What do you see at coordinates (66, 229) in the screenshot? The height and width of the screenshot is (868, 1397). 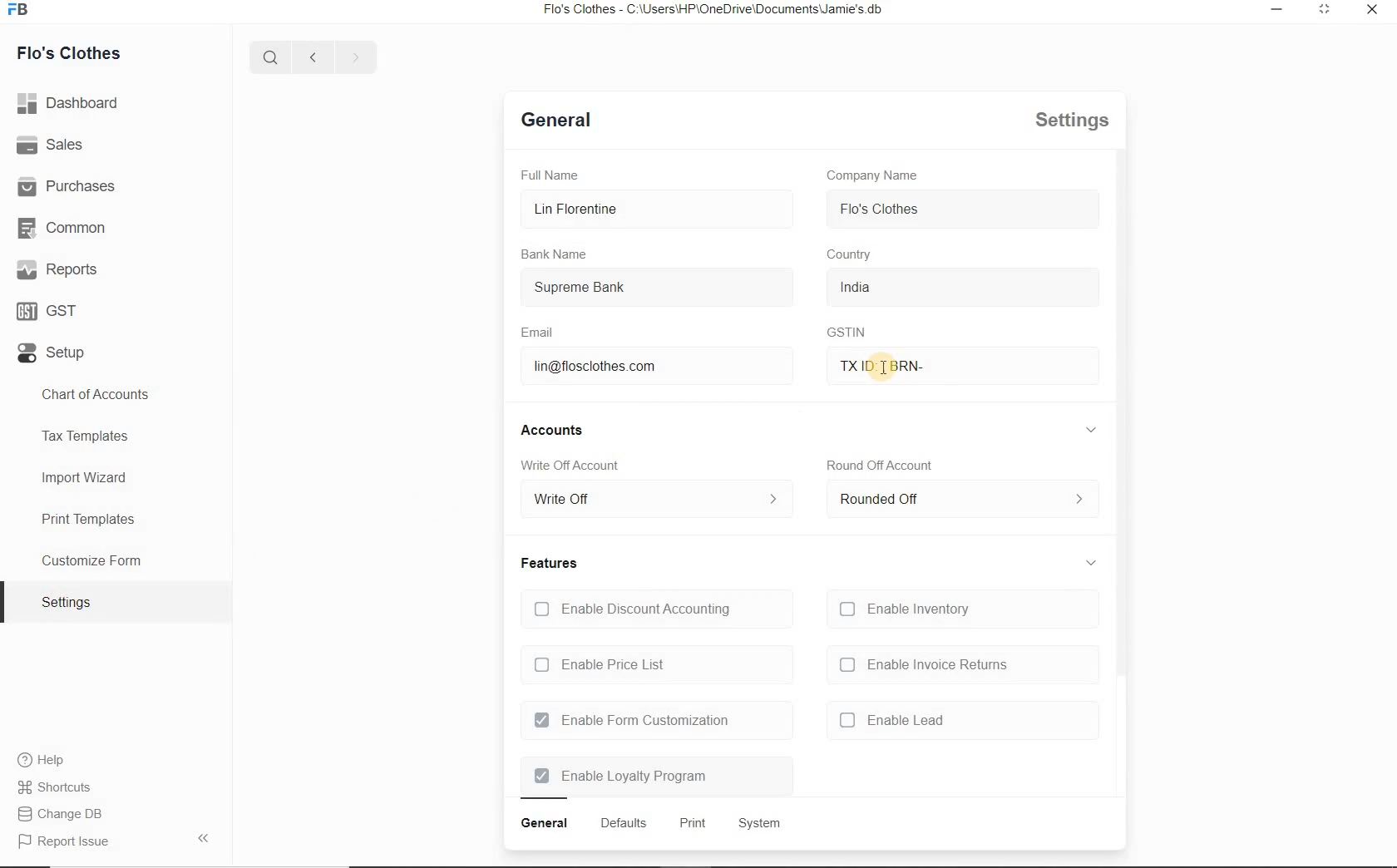 I see `Common` at bounding box center [66, 229].